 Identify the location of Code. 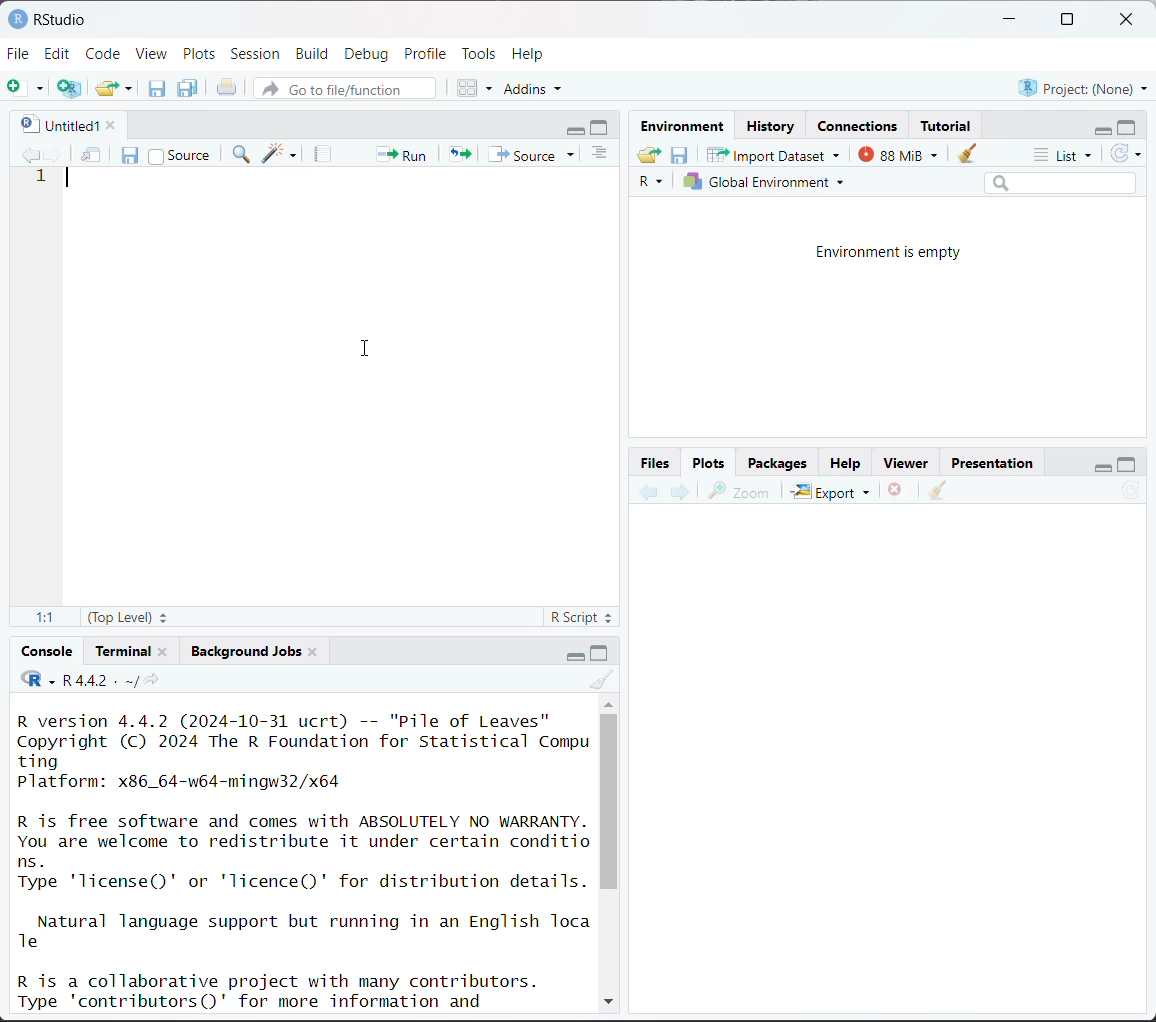
(105, 52).